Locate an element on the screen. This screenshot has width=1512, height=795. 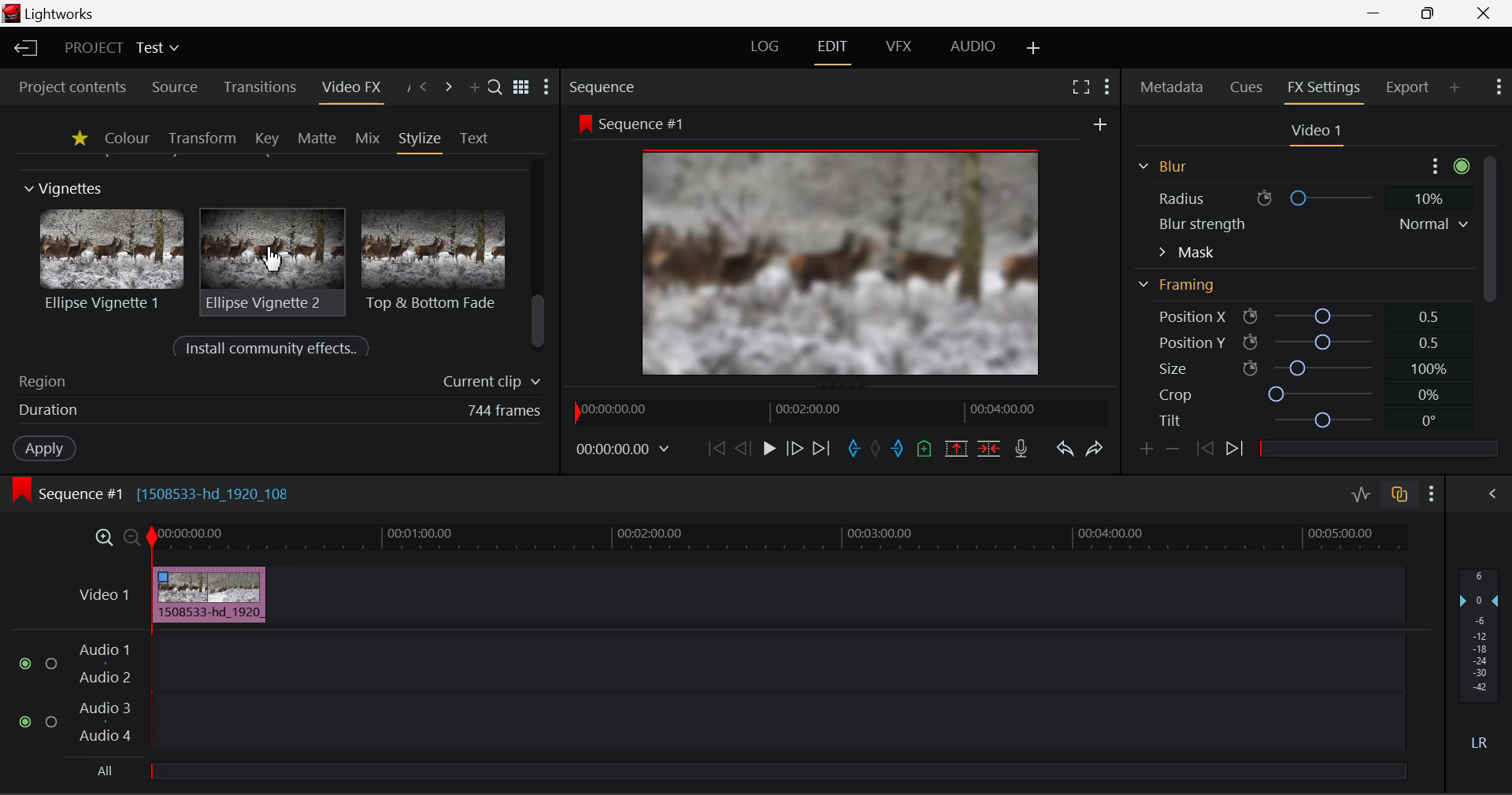
Text Panel Open is located at coordinates (476, 137).